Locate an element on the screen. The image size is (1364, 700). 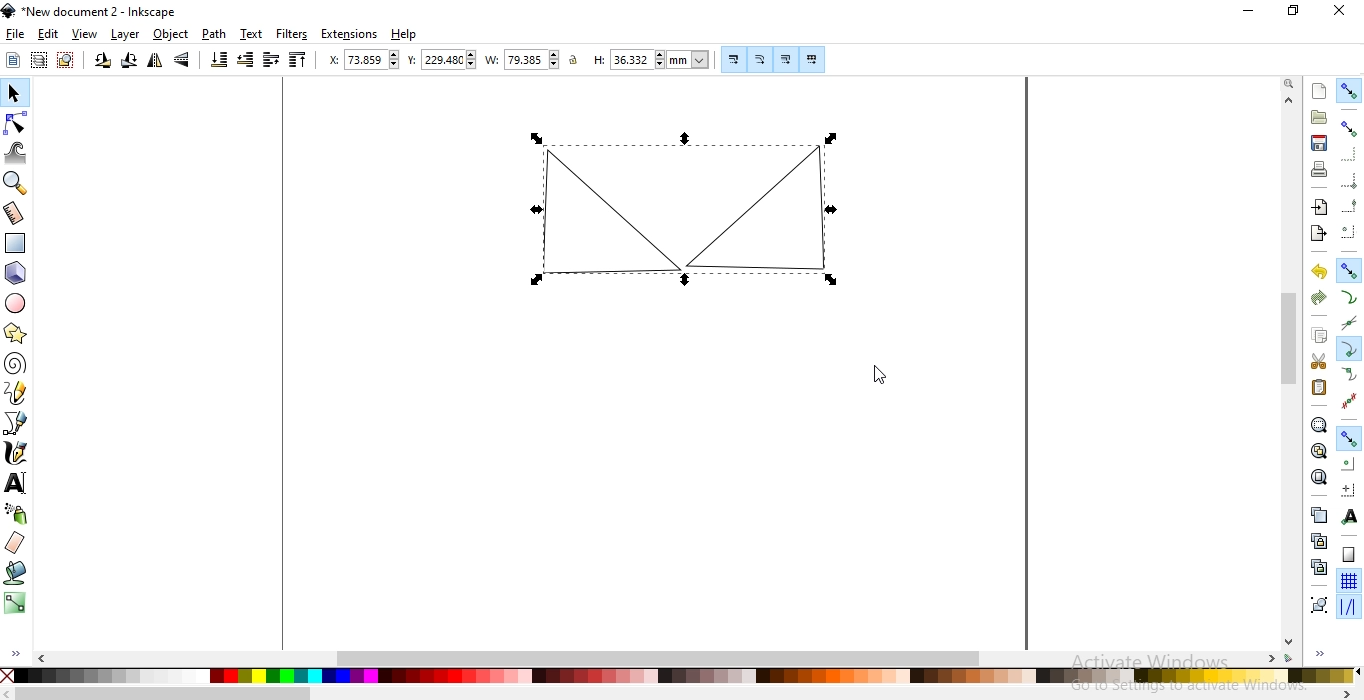
zoom to fit selection is located at coordinates (1318, 424).